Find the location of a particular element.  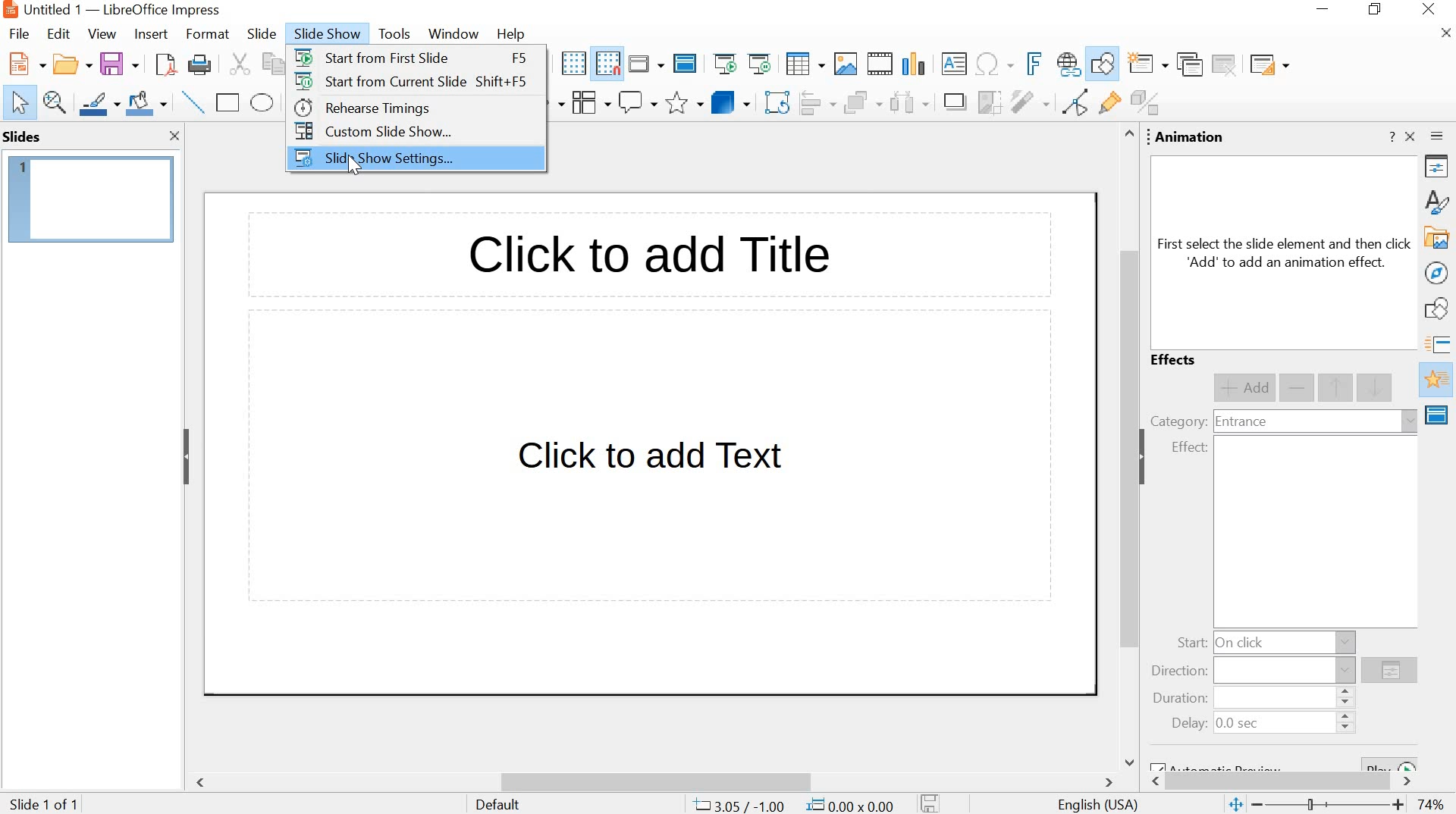

add is located at coordinates (1244, 388).